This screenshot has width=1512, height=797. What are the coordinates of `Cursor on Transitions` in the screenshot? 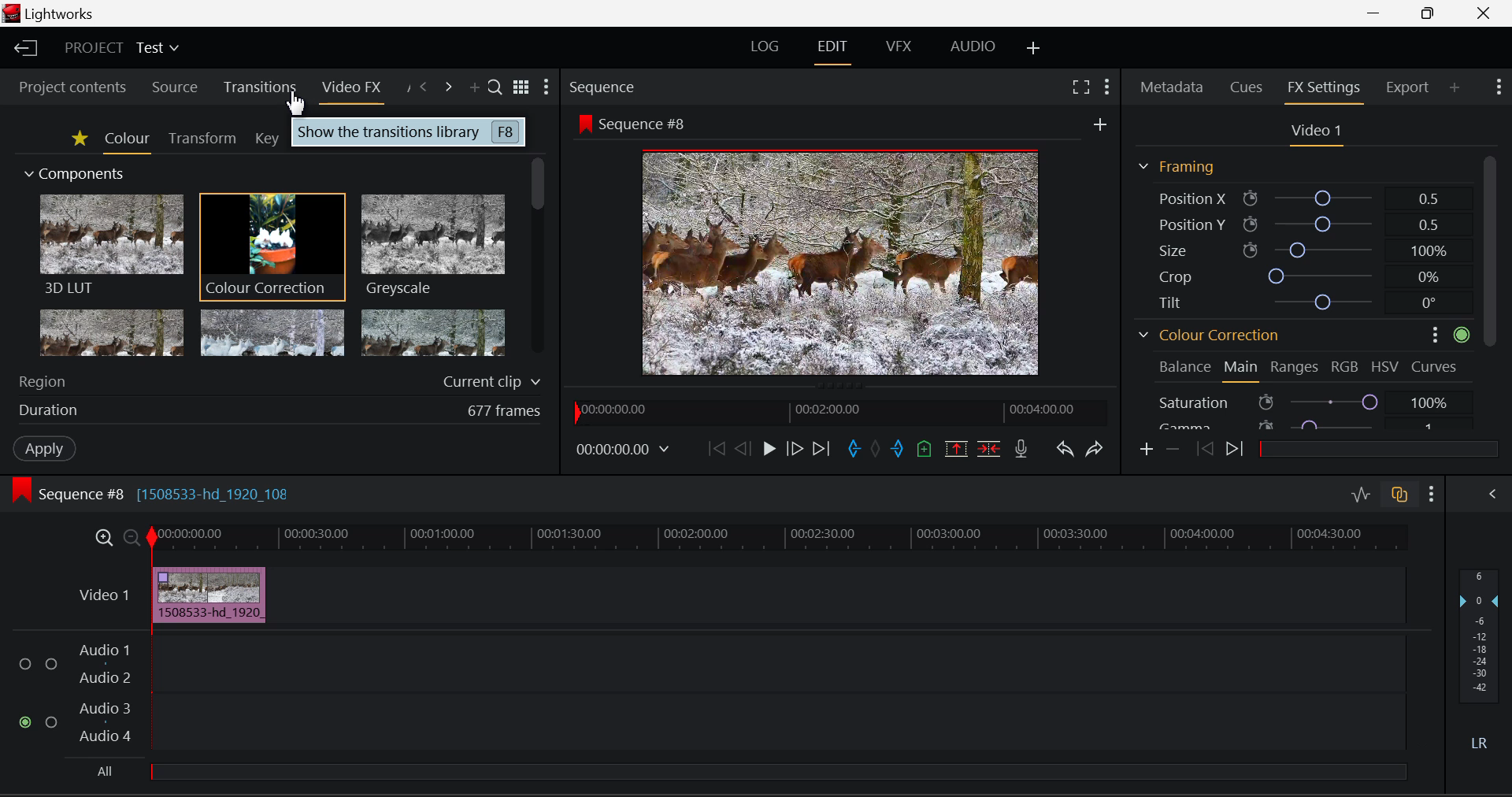 It's located at (261, 89).